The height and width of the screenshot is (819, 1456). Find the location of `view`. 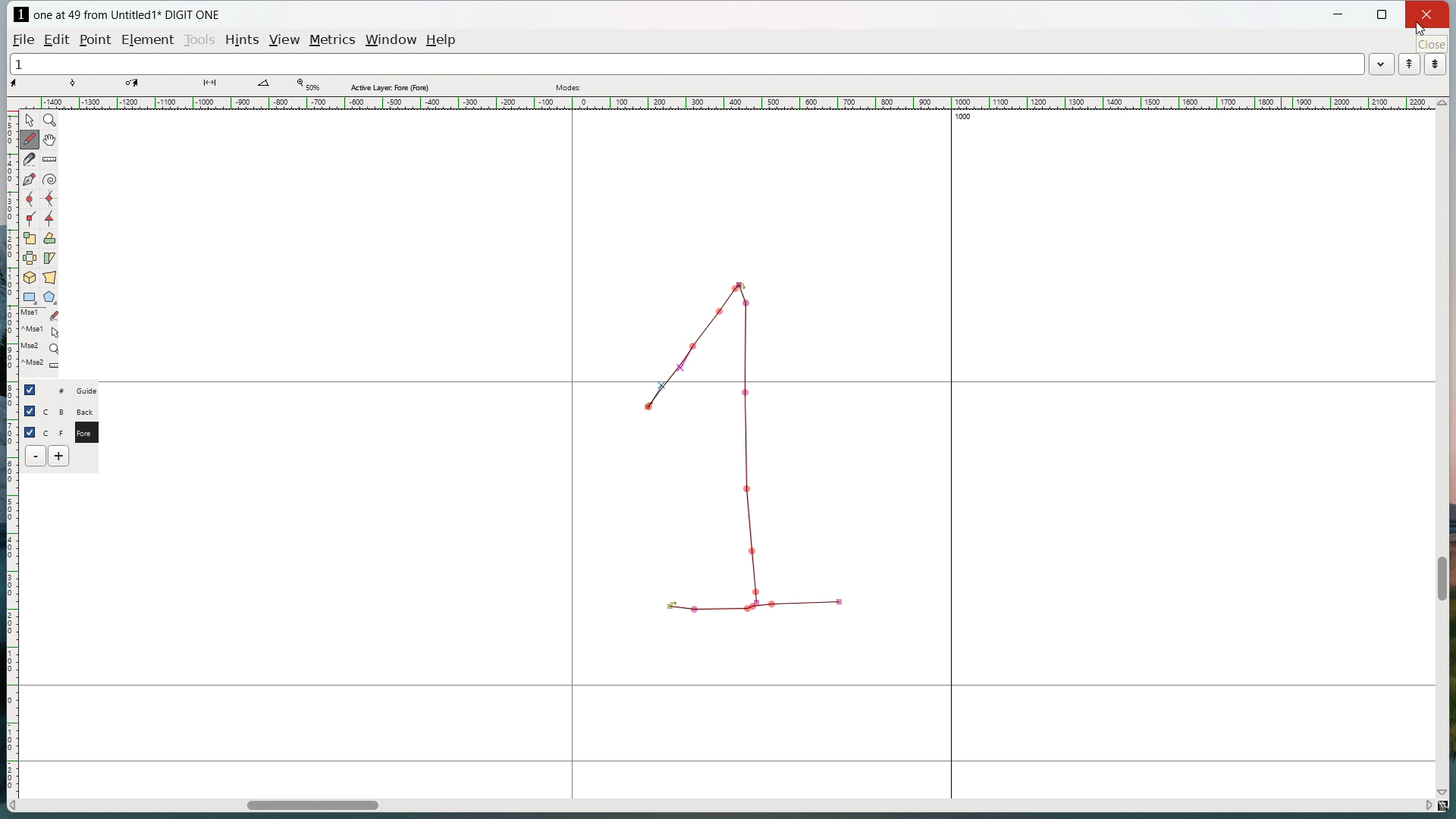

view is located at coordinates (286, 40).